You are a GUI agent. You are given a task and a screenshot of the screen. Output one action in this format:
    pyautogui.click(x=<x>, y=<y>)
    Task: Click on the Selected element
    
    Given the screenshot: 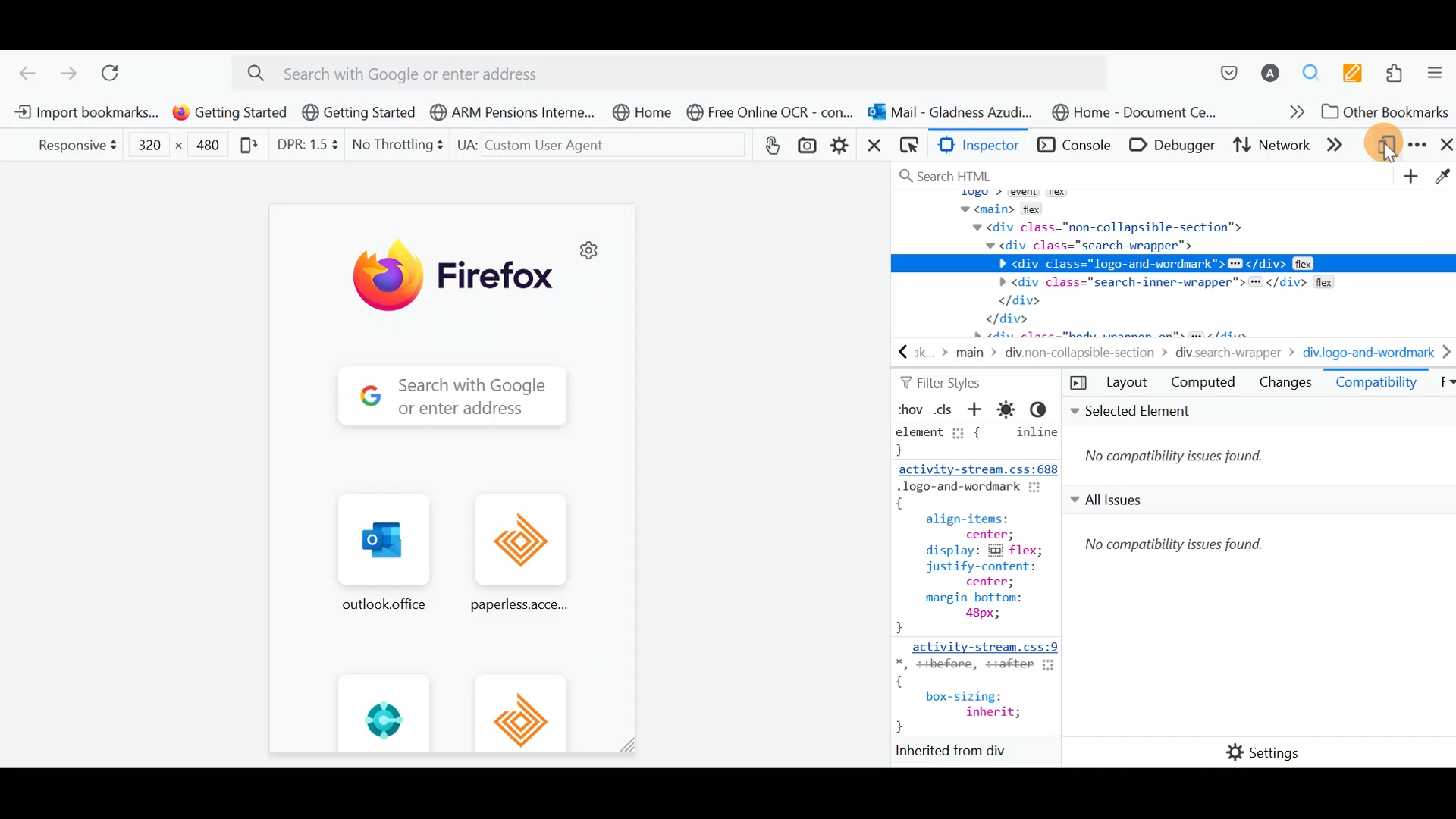 What is the action you would take?
    pyautogui.click(x=1261, y=442)
    